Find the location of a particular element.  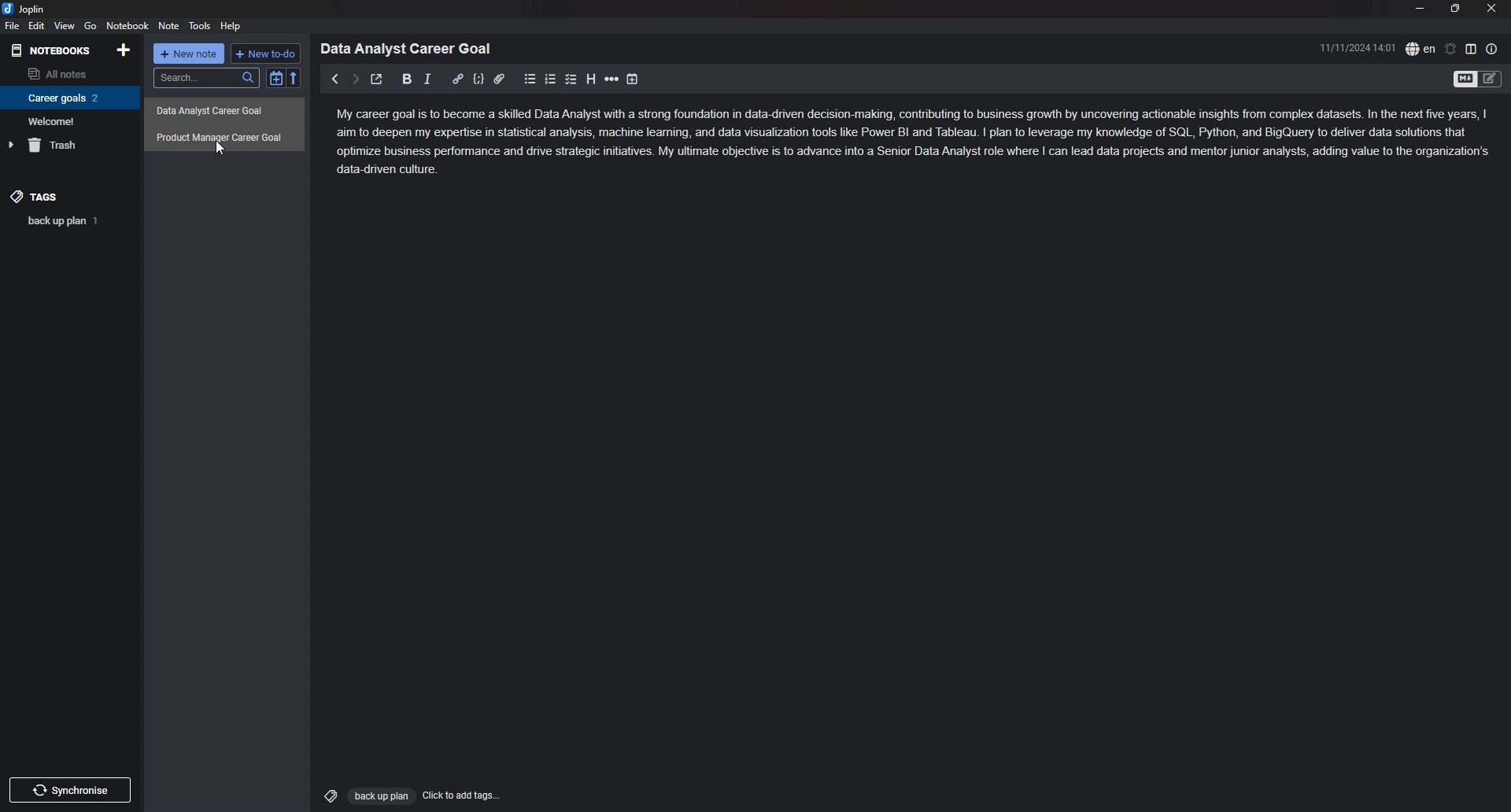

spell check is located at coordinates (1420, 49).